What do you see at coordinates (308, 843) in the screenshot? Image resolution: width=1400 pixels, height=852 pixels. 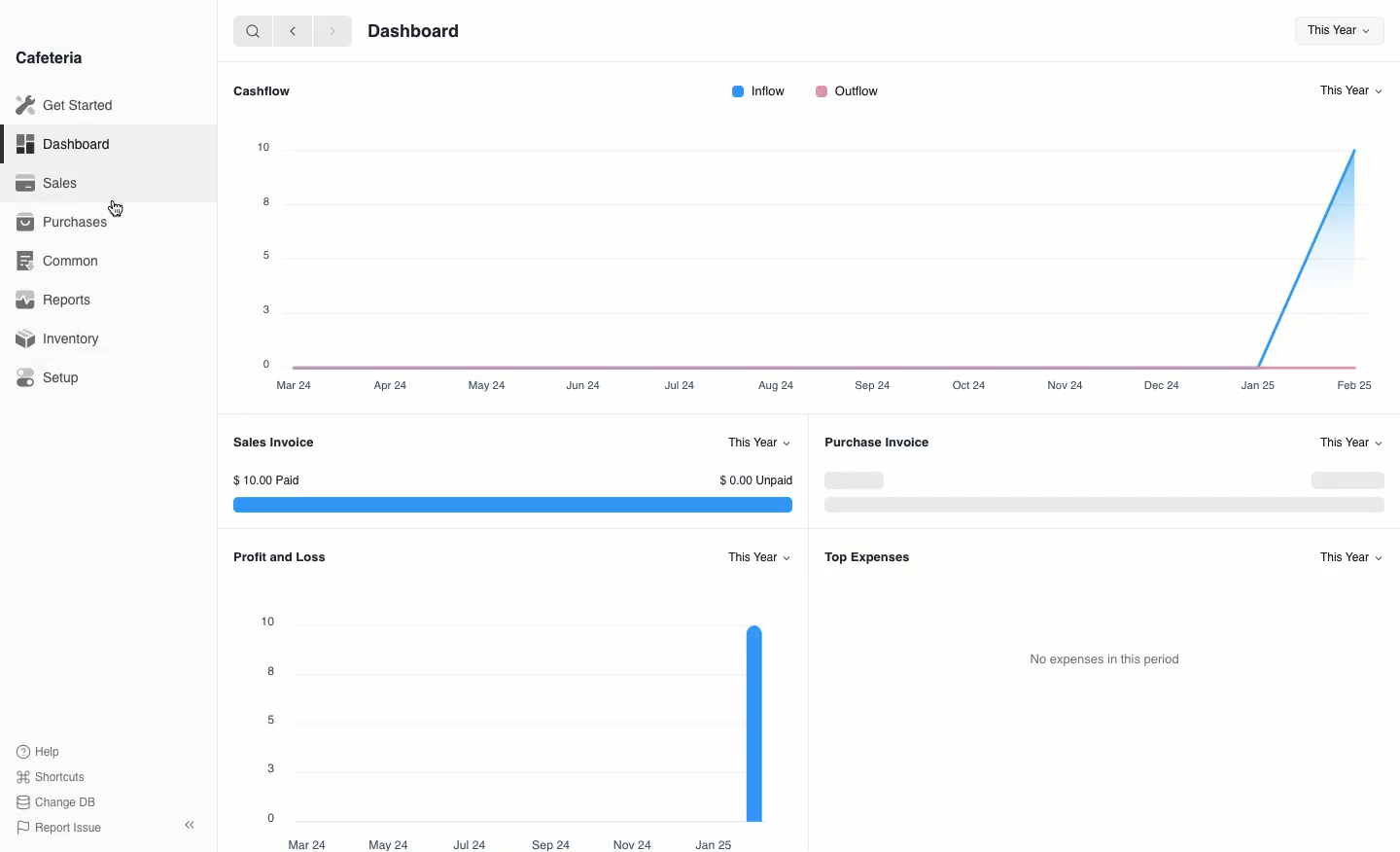 I see `Mar 24` at bounding box center [308, 843].